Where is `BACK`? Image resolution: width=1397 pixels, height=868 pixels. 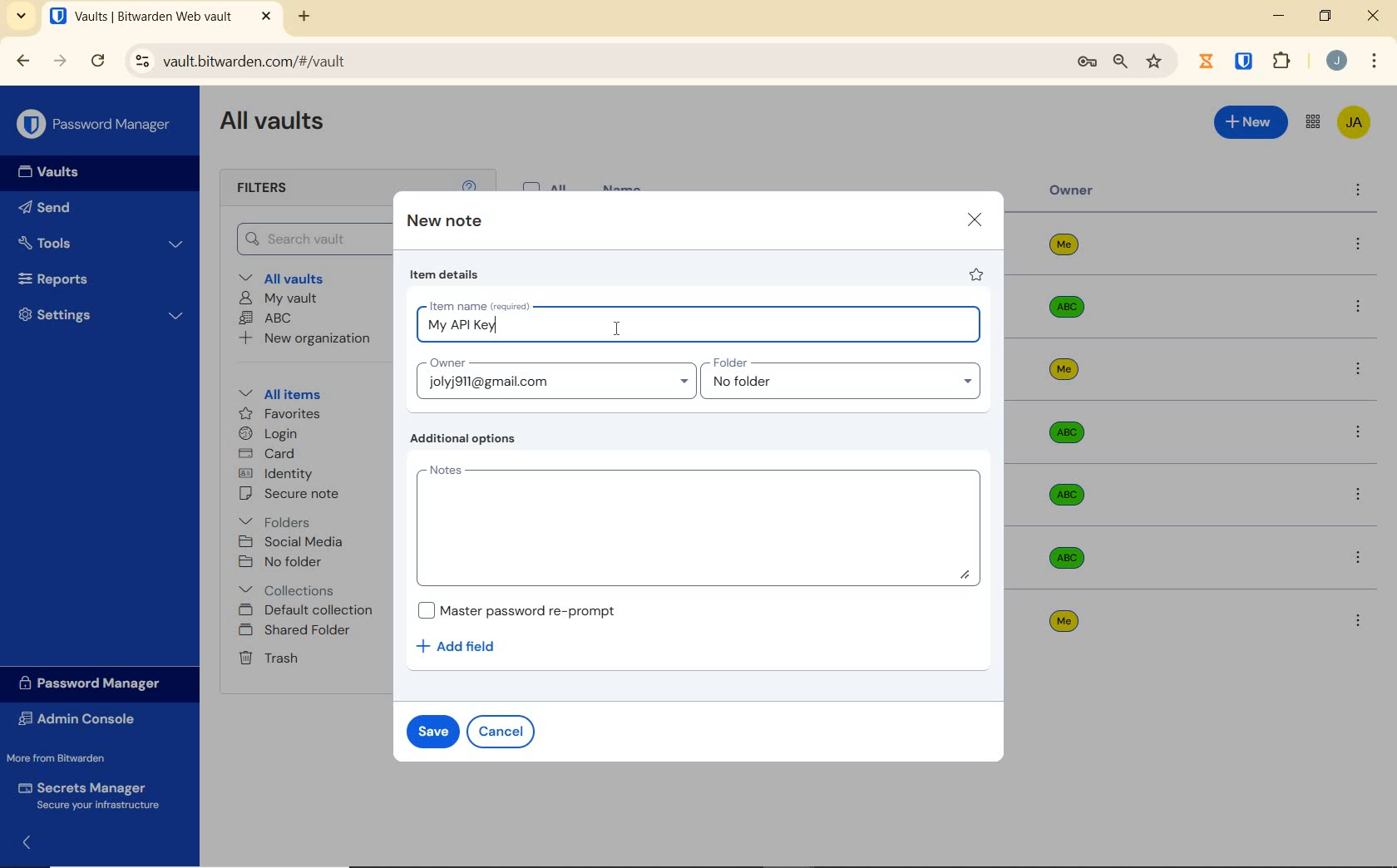 BACK is located at coordinates (23, 60).